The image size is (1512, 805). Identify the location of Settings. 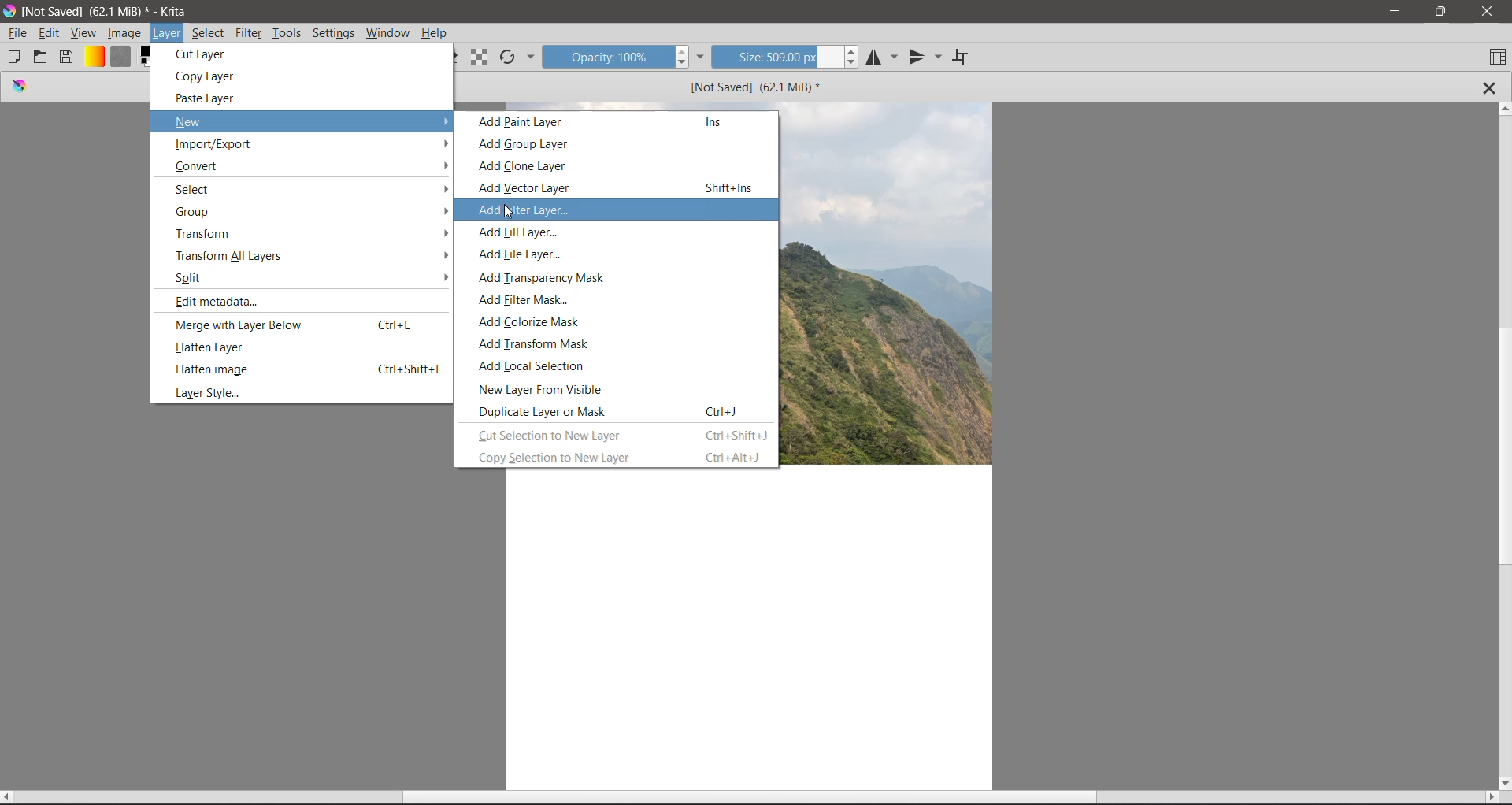
(334, 32).